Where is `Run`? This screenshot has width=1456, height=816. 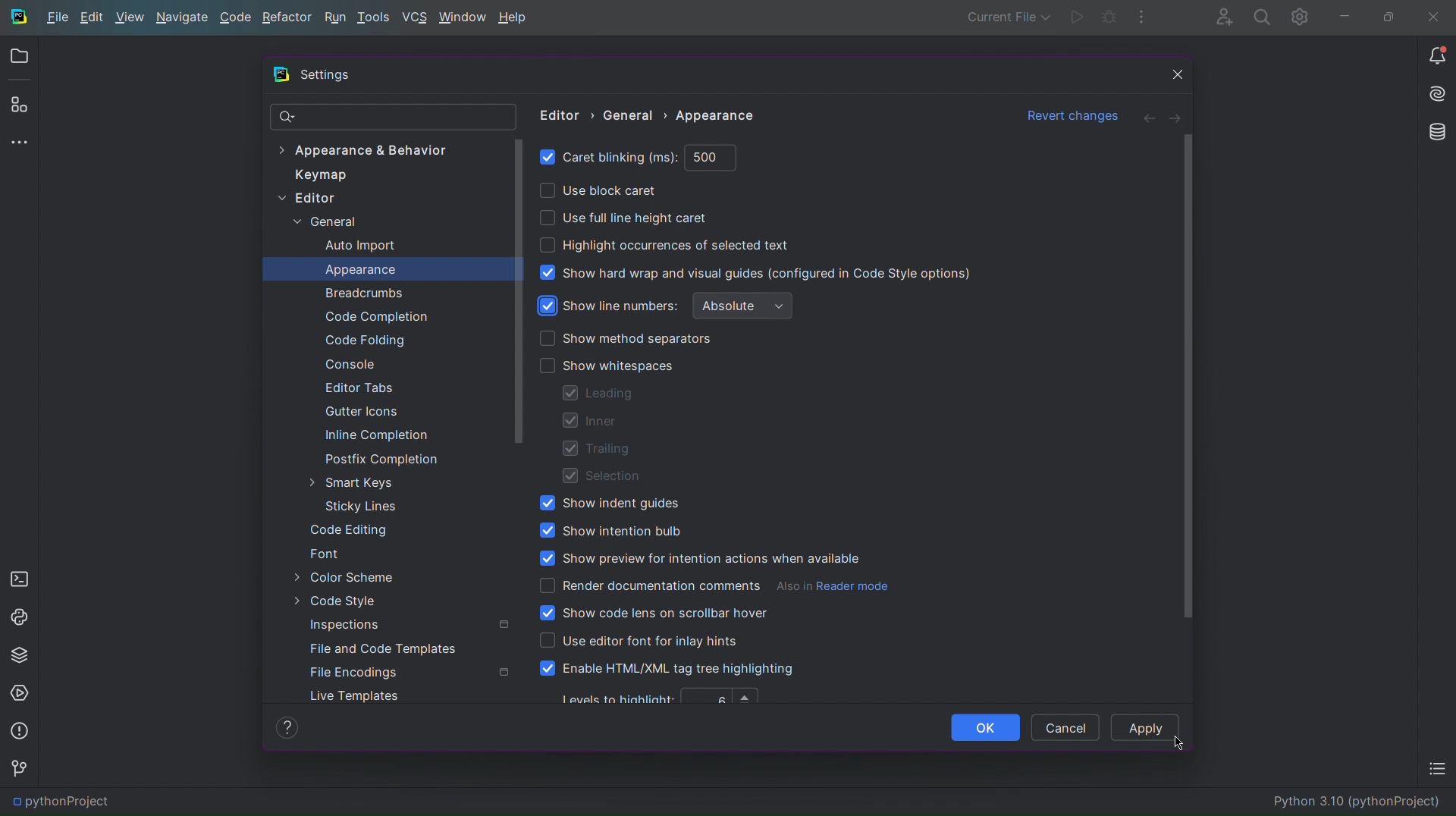
Run is located at coordinates (1077, 19).